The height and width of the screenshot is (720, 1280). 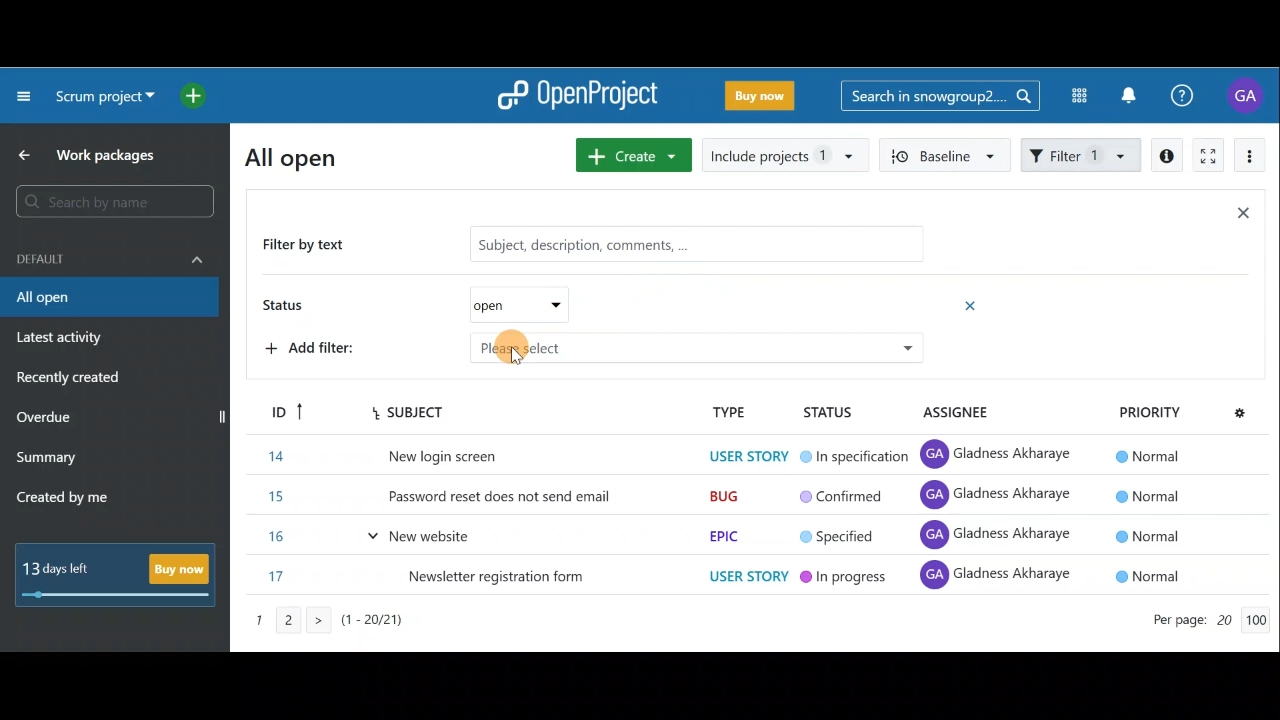 What do you see at coordinates (1168, 156) in the screenshot?
I see `Open details view` at bounding box center [1168, 156].